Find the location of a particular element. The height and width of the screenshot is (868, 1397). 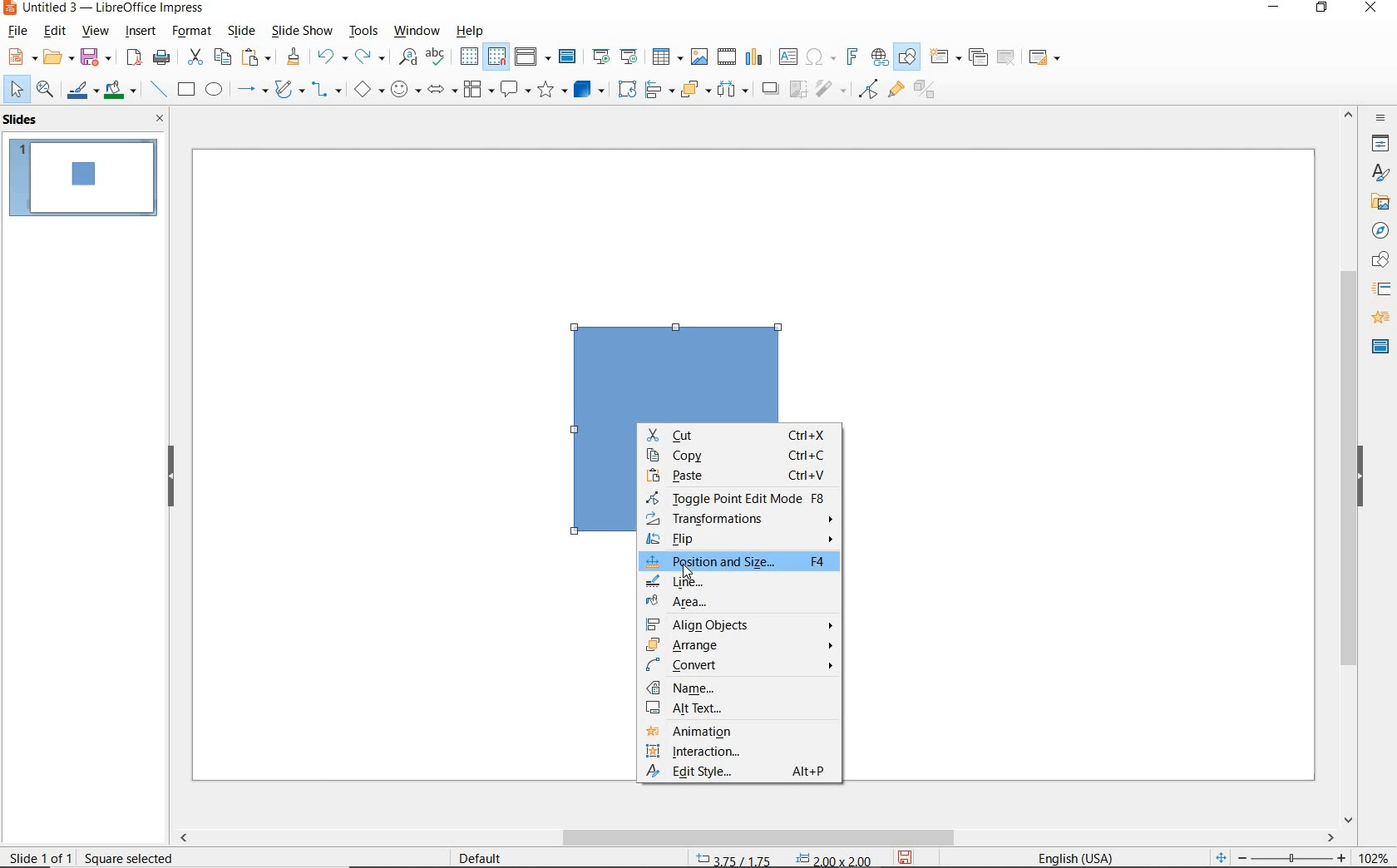

save is located at coordinates (98, 57).